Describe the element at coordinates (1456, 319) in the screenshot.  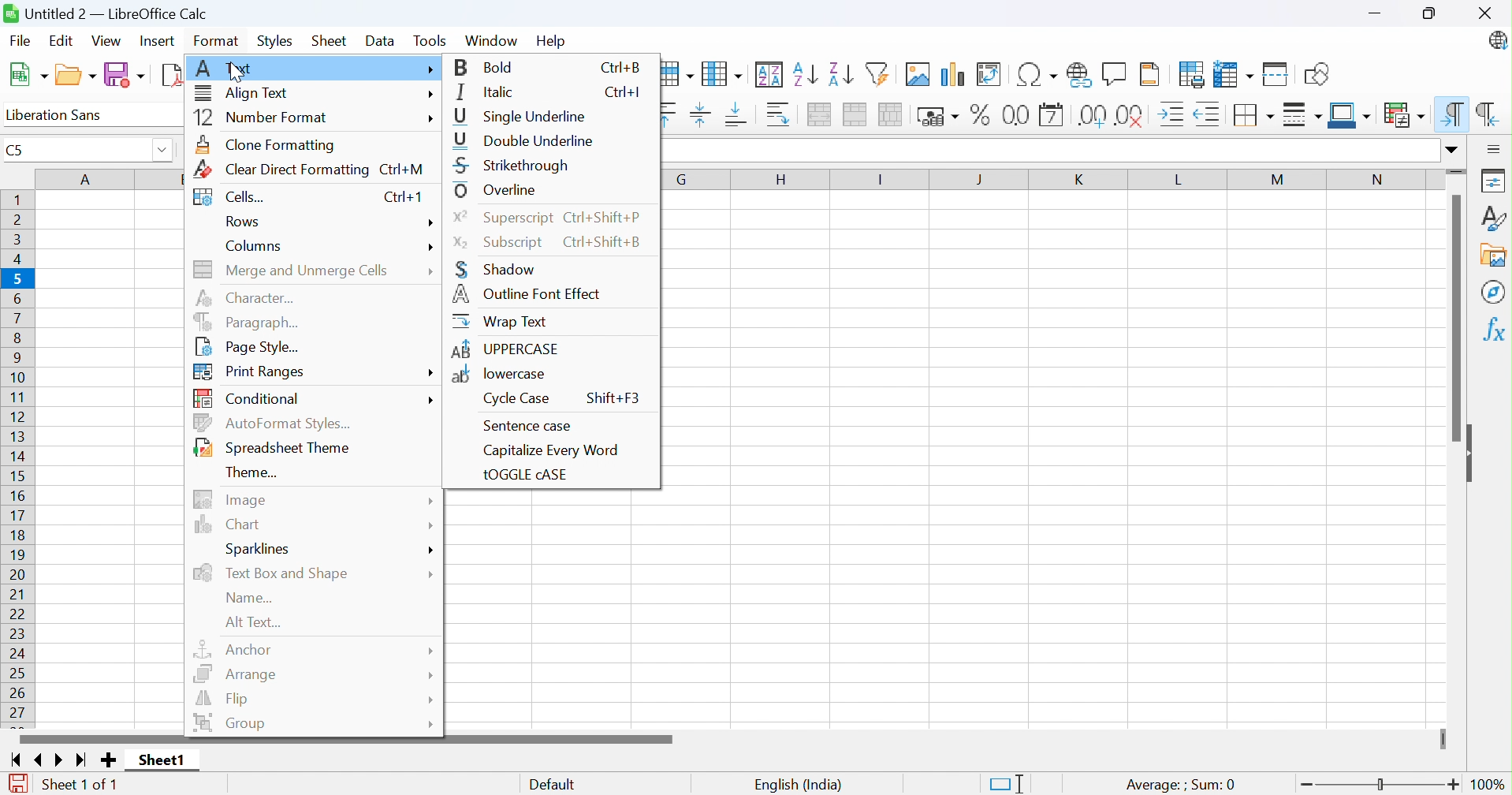
I see `Scroll bar` at that location.